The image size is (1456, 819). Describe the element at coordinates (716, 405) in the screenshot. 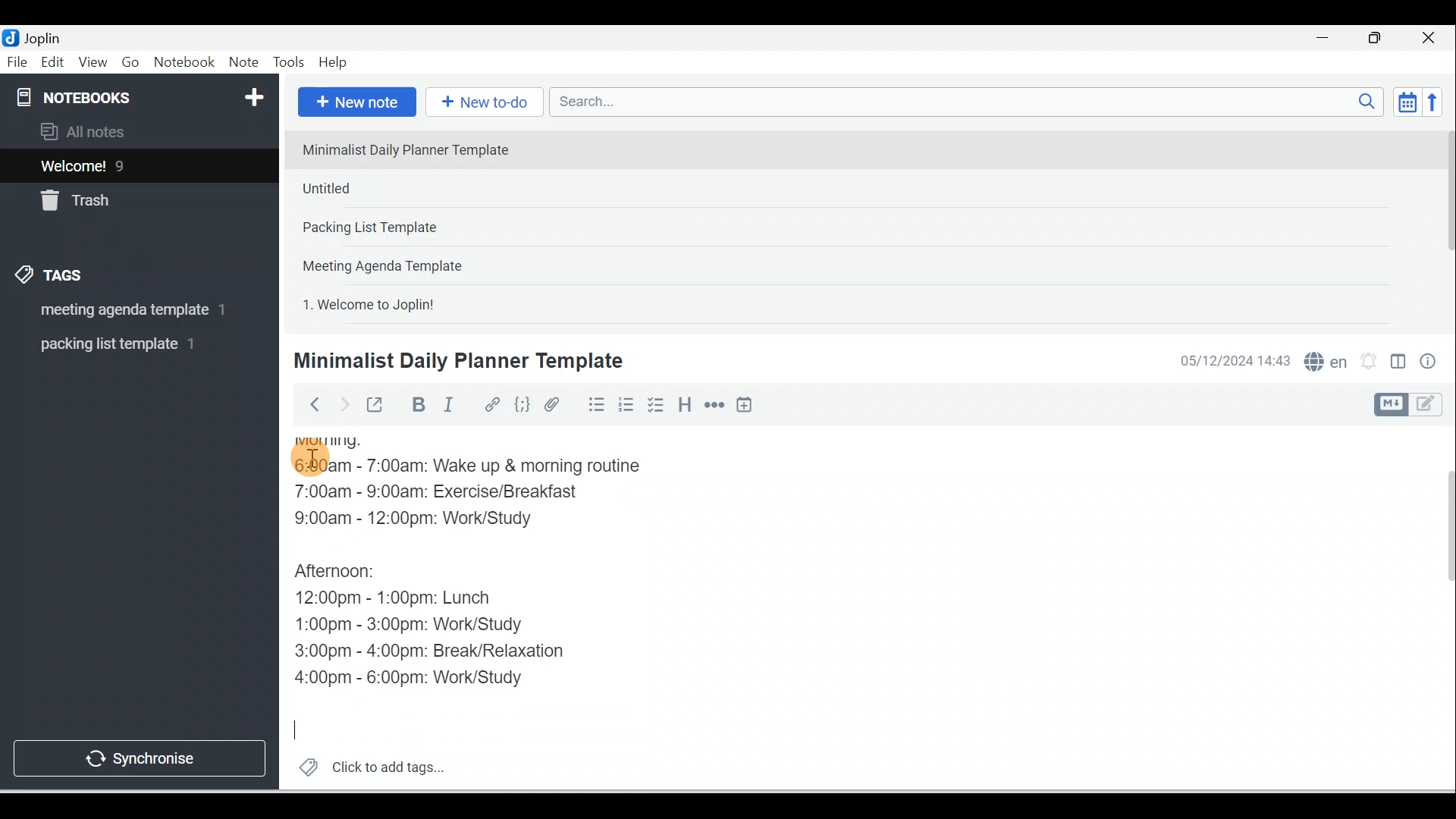

I see `Horizontal rule` at that location.